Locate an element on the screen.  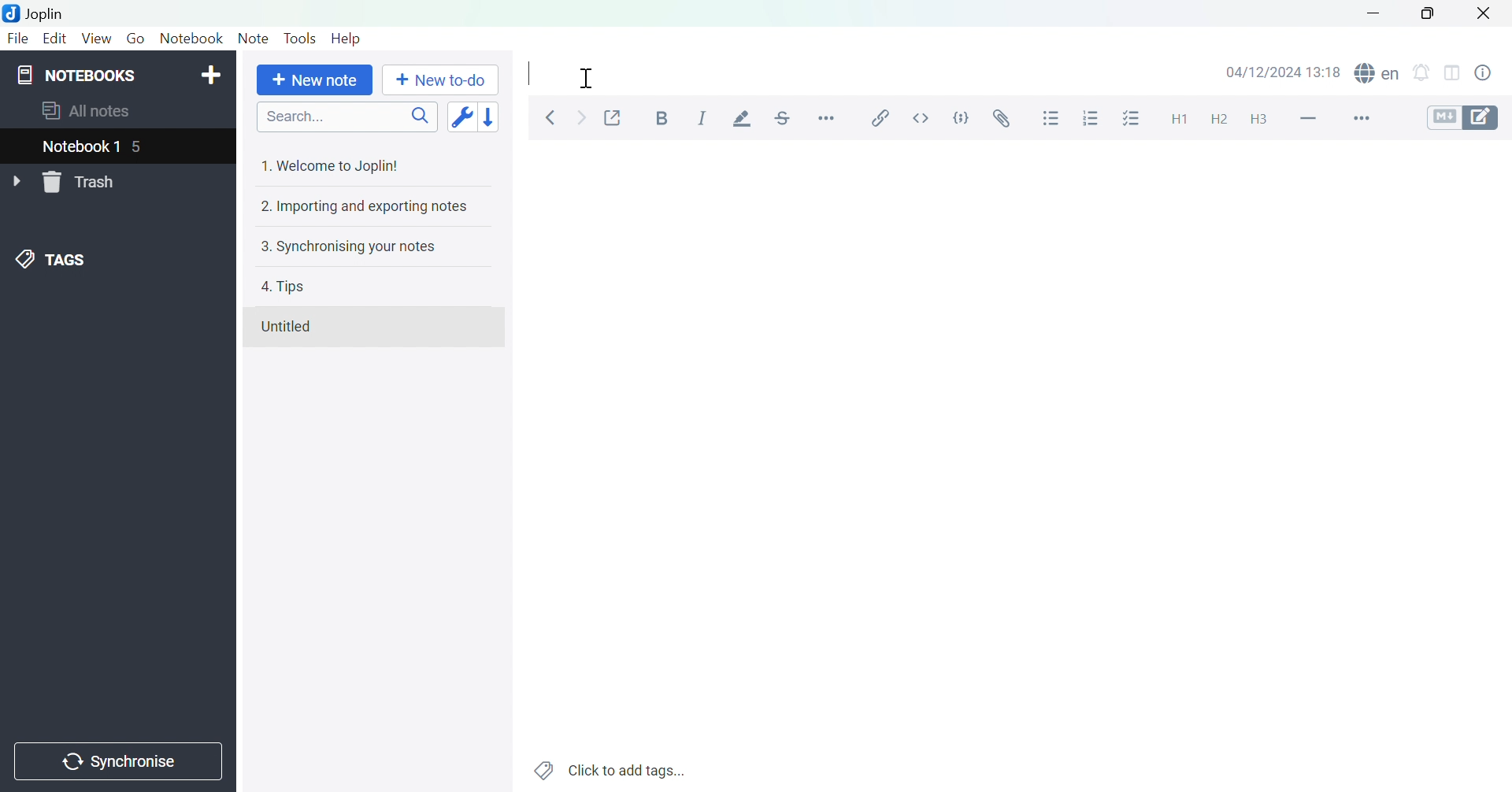
Help is located at coordinates (346, 39).